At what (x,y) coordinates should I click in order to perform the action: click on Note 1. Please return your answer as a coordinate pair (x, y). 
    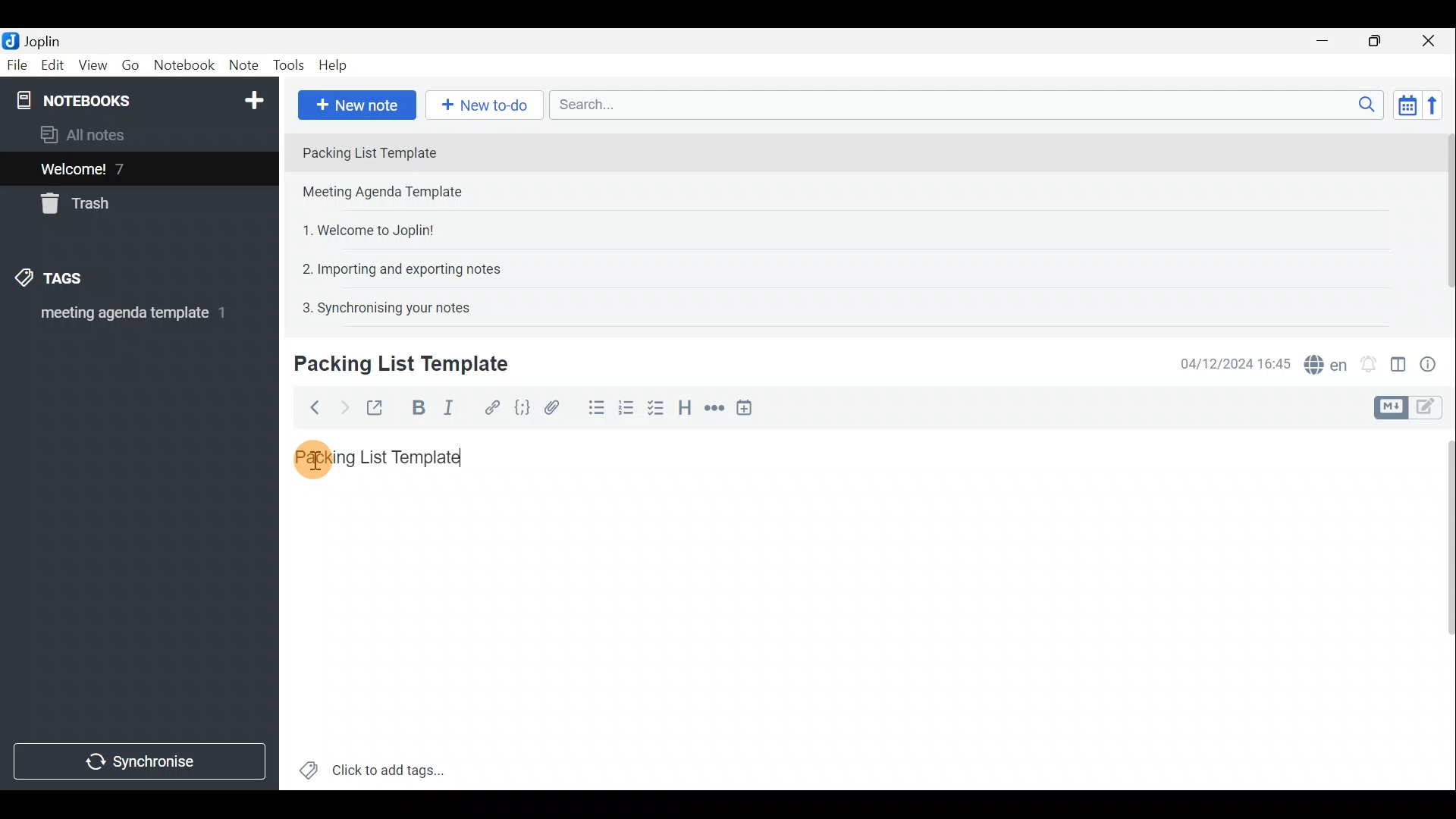
    Looking at the image, I should click on (424, 151).